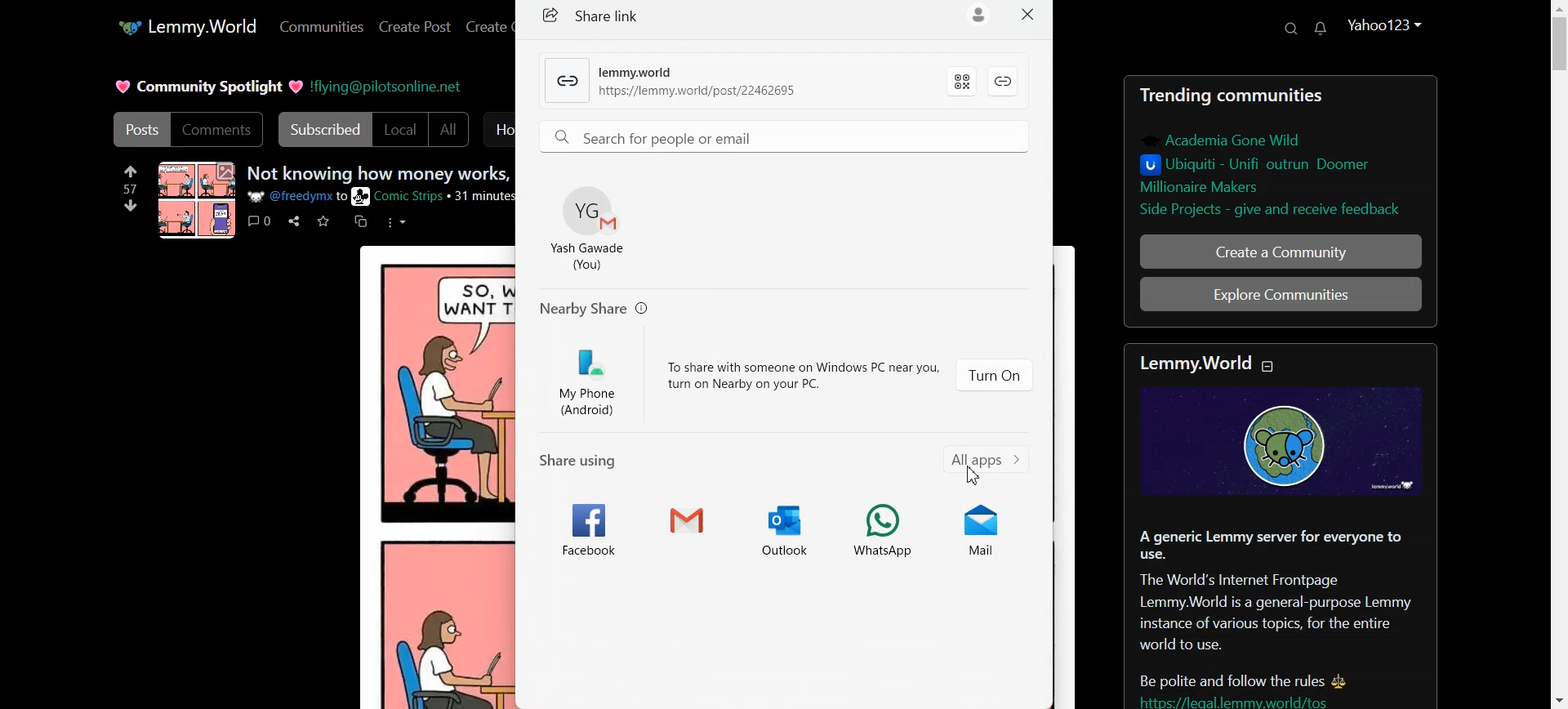  What do you see at coordinates (1004, 82) in the screenshot?
I see `Hyperlink` at bounding box center [1004, 82].